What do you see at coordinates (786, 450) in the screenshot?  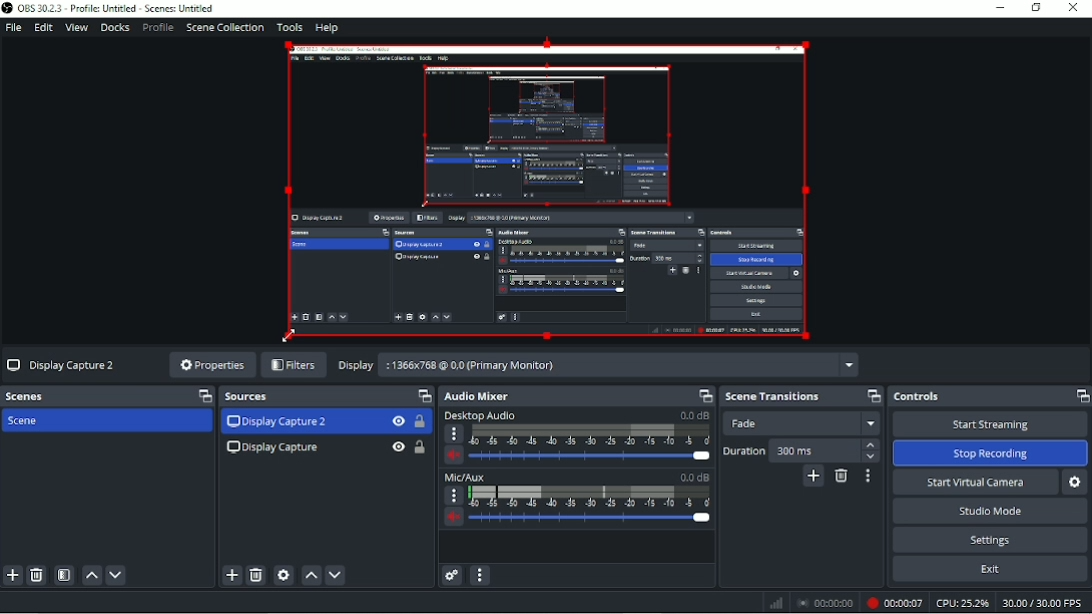 I see `Duration 300 ms` at bounding box center [786, 450].